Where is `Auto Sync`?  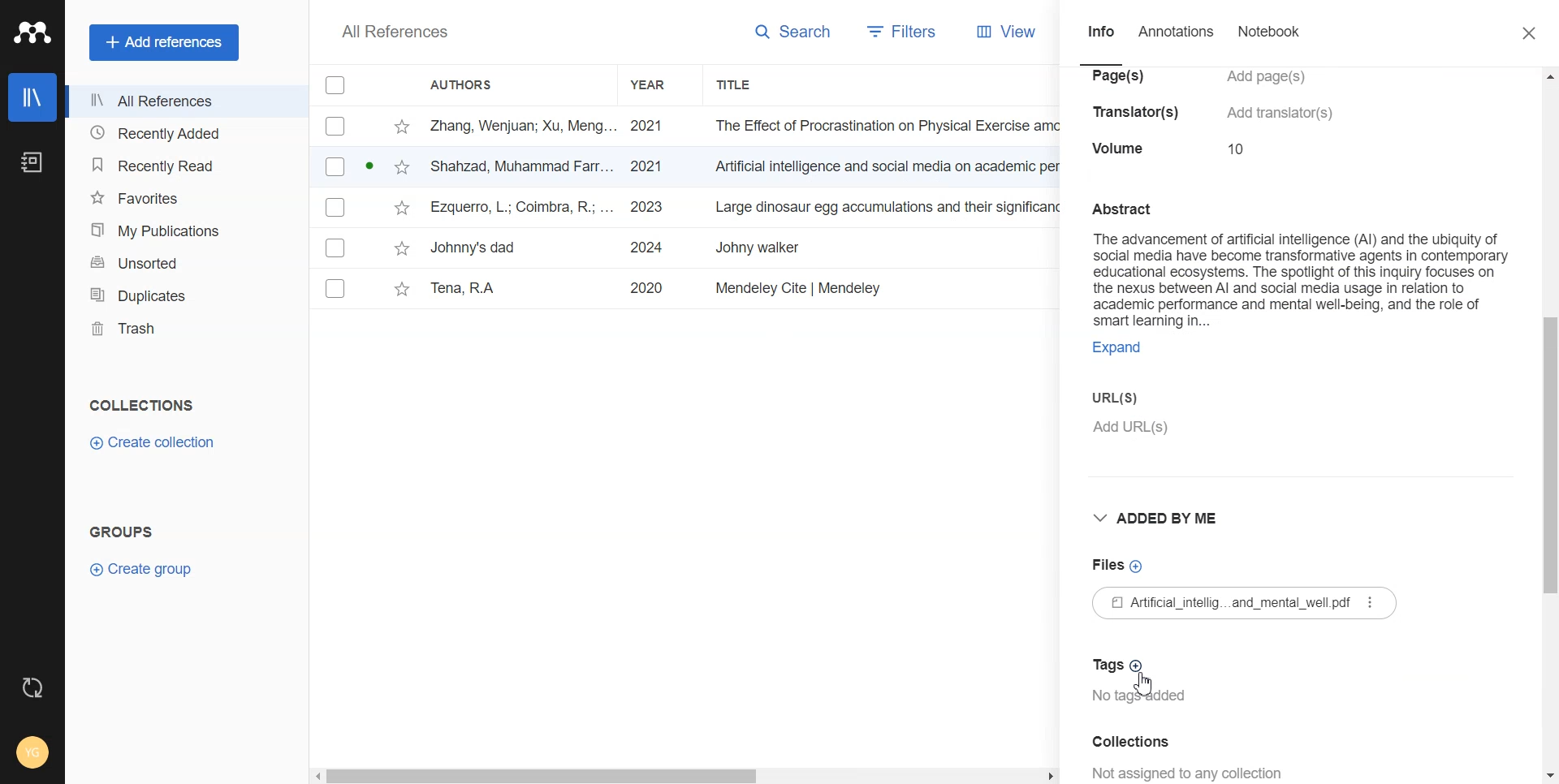
Auto Sync is located at coordinates (33, 688).